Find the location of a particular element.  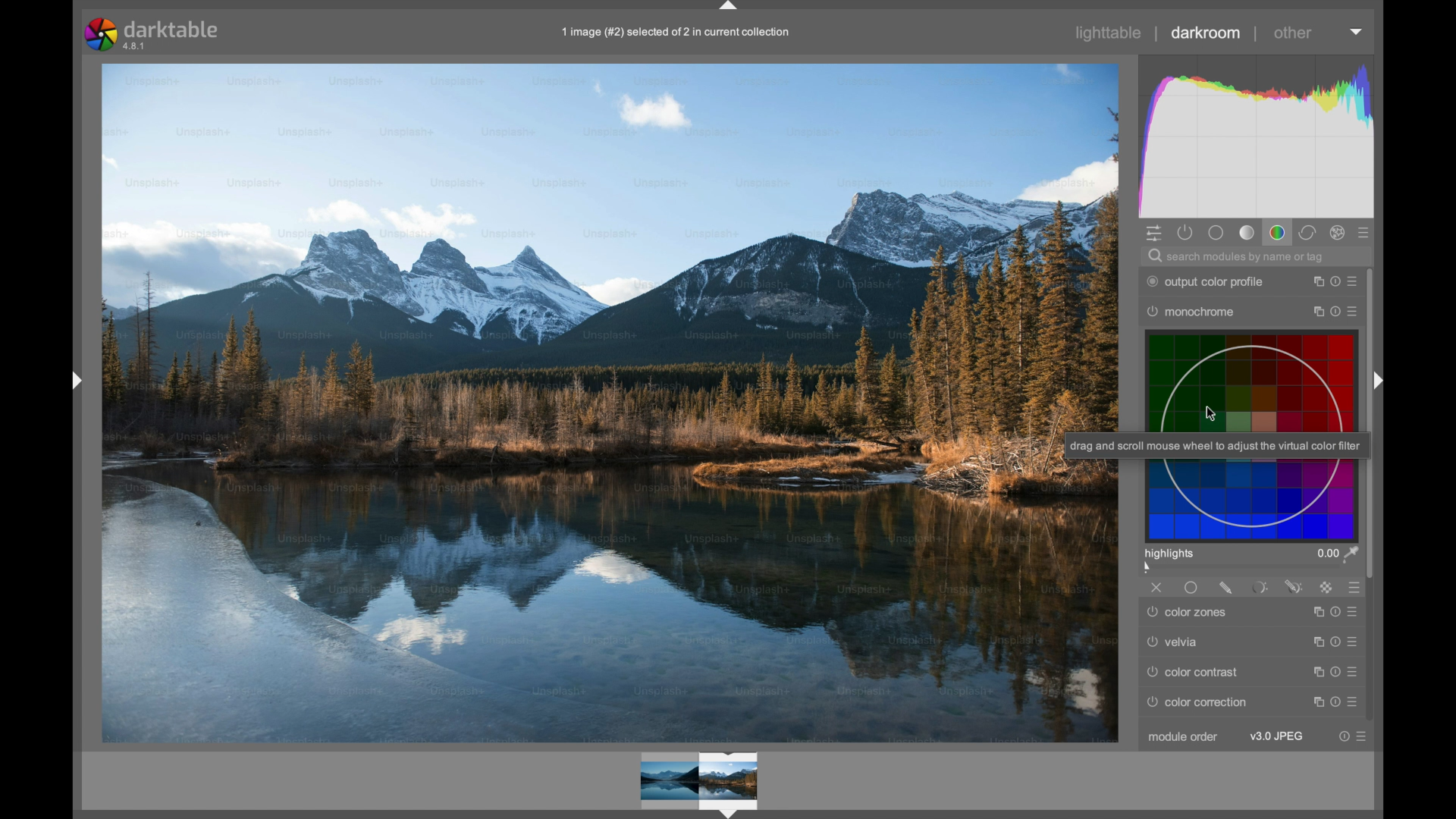

color is located at coordinates (1277, 233).